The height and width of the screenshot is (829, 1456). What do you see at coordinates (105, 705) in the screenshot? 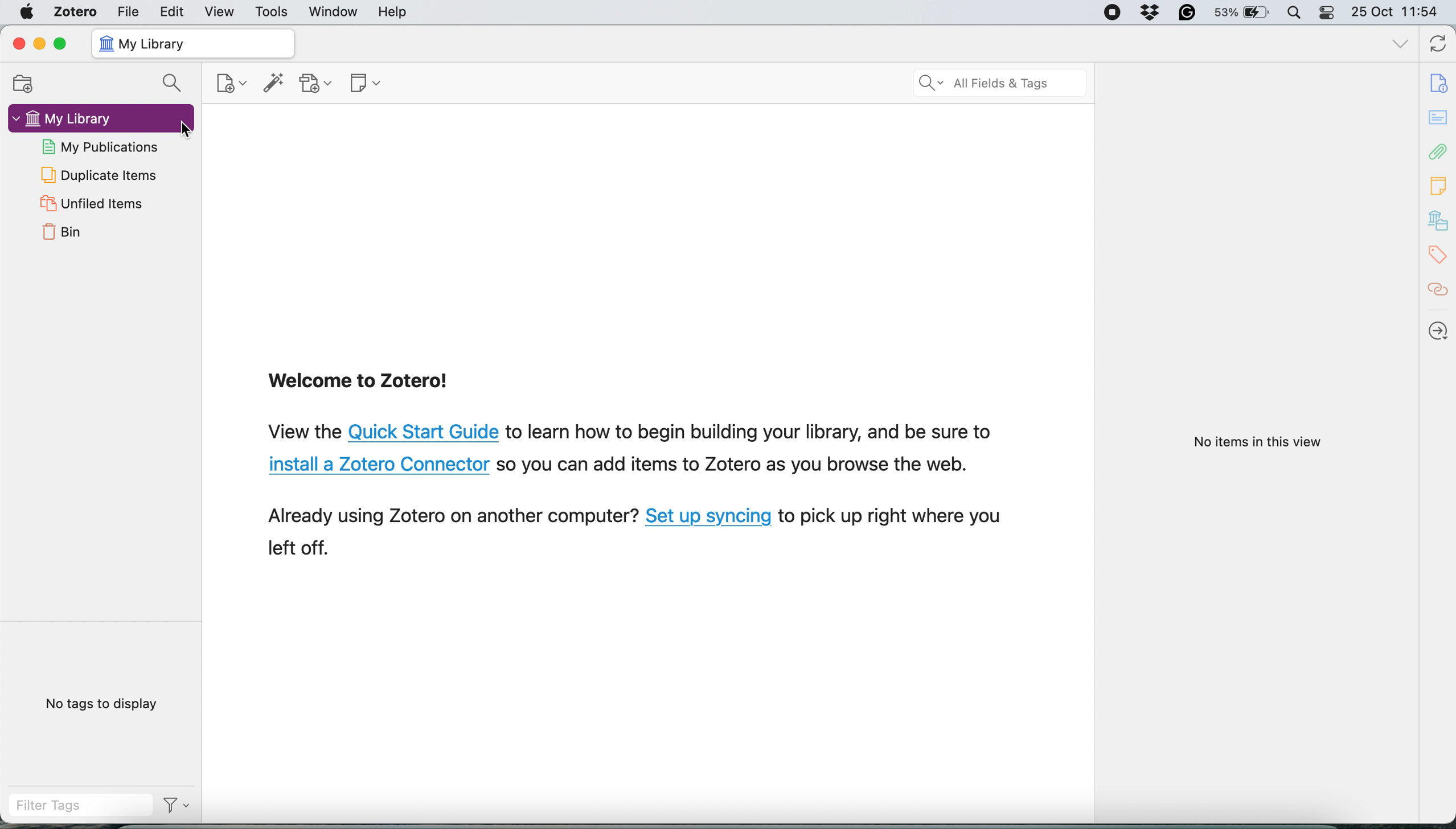
I see `No tags to display` at bounding box center [105, 705].